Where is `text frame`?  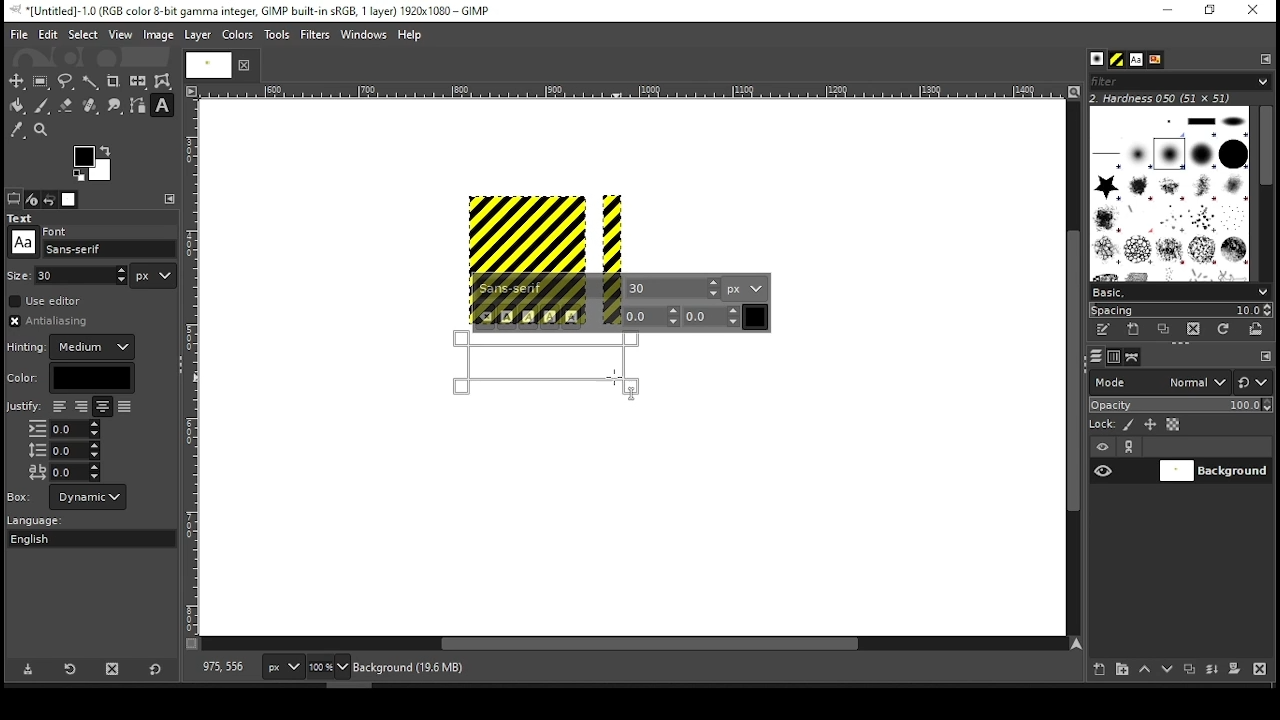
text frame is located at coordinates (549, 365).